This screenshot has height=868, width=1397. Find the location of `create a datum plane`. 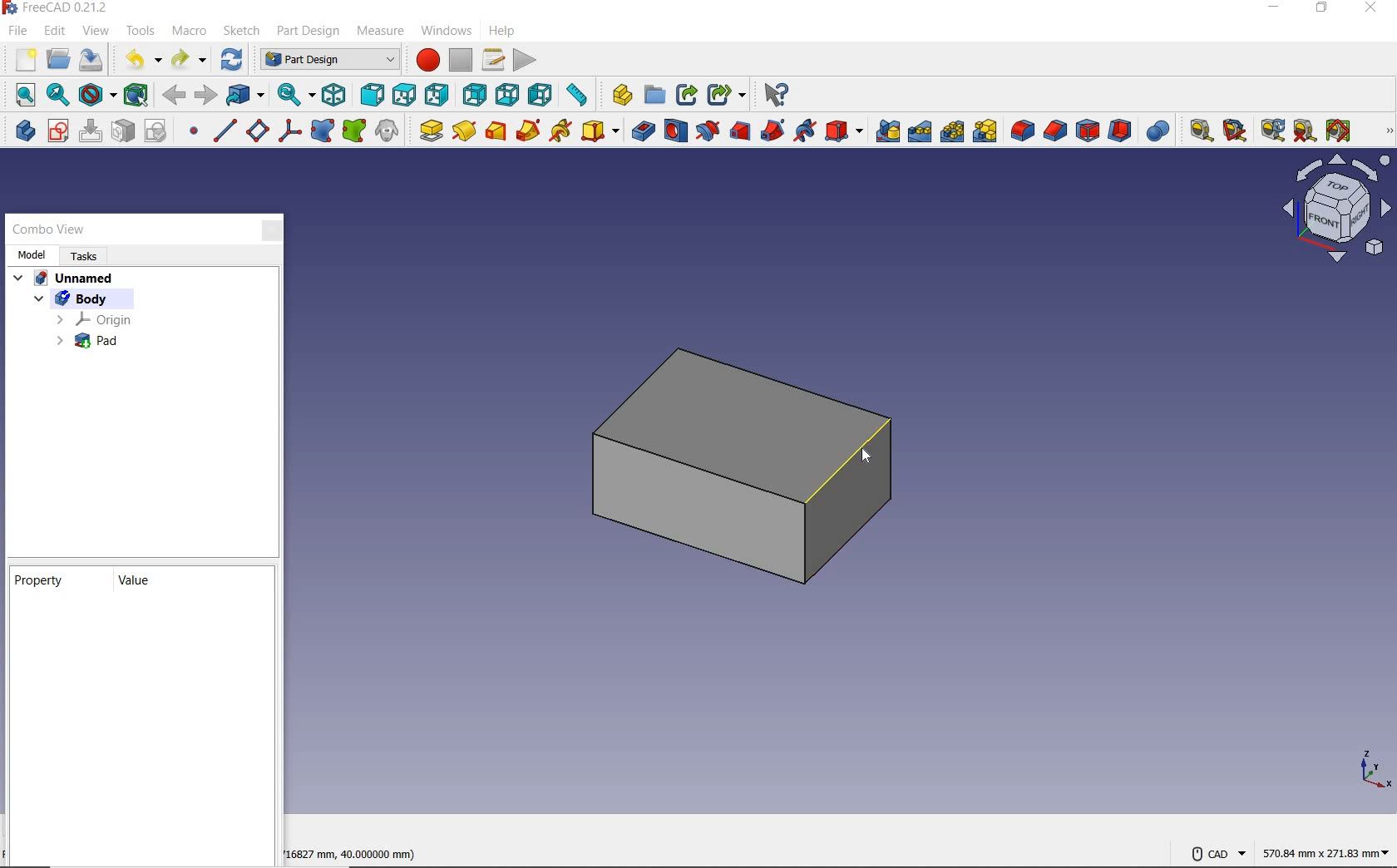

create a datum plane is located at coordinates (258, 131).